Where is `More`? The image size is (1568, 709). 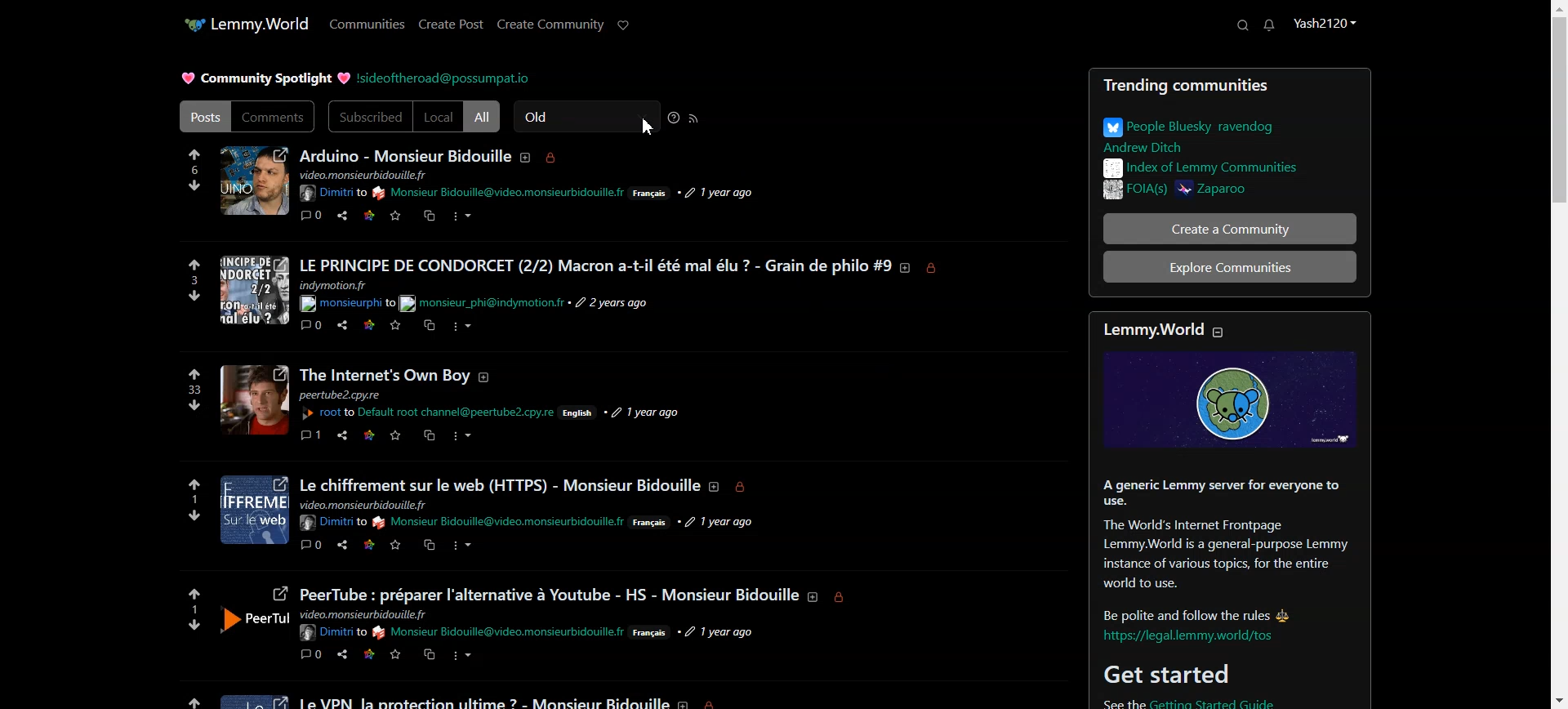
More is located at coordinates (461, 216).